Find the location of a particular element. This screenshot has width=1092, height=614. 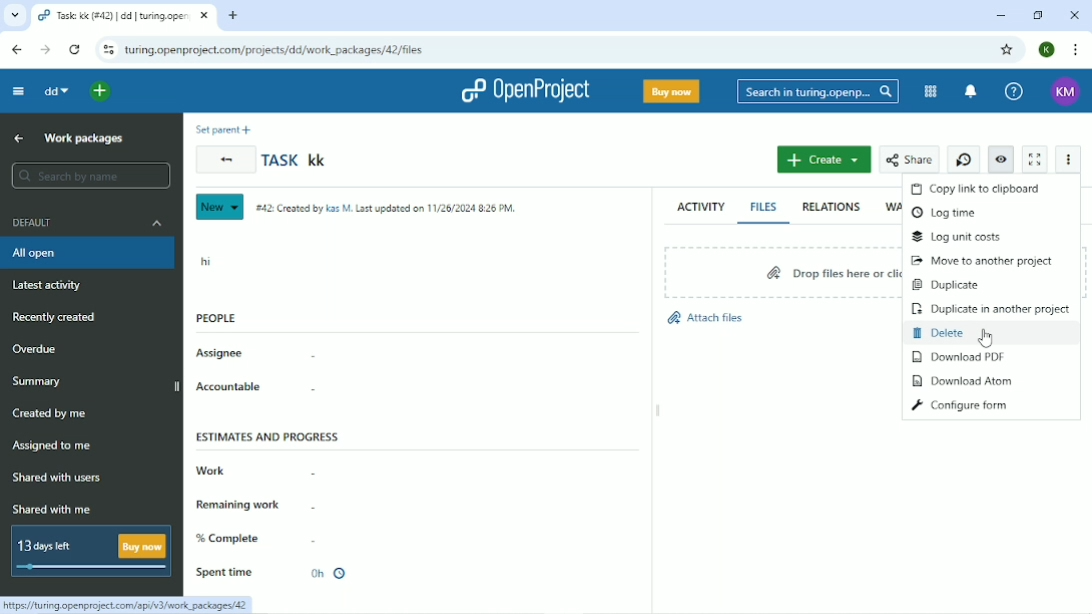

Restore down is located at coordinates (1038, 15).